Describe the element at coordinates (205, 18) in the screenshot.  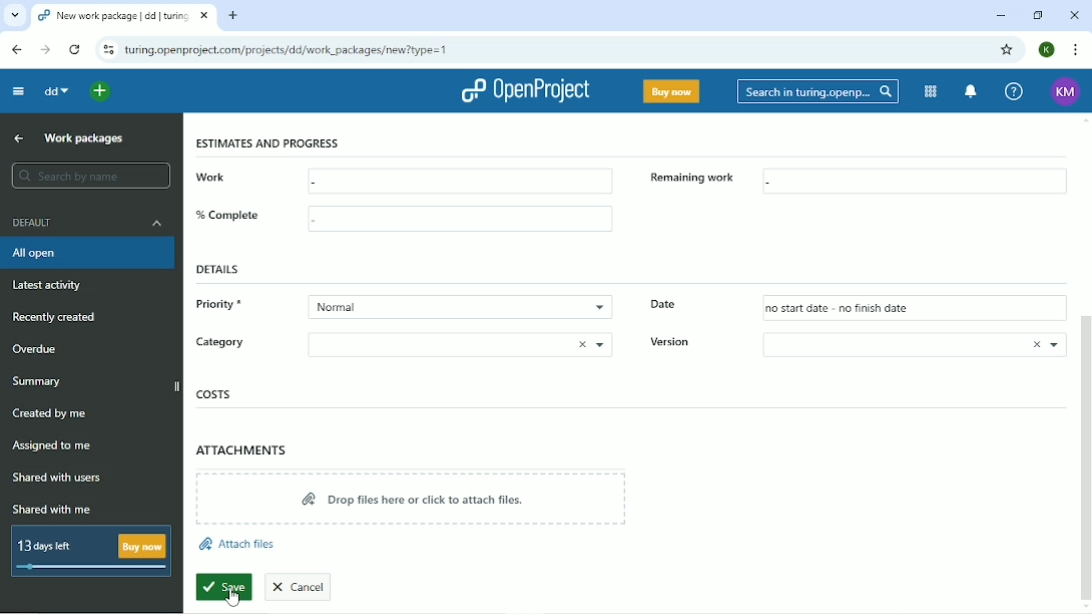
I see `close` at that location.